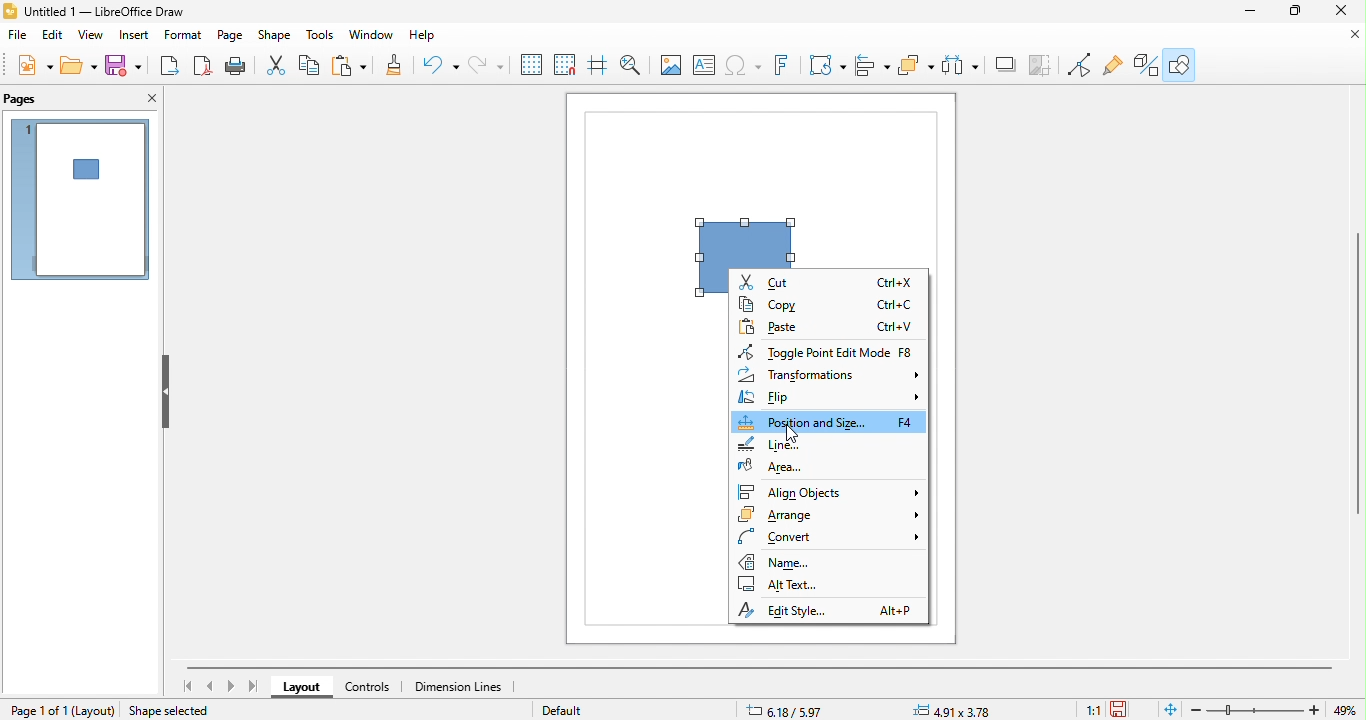  What do you see at coordinates (1167, 709) in the screenshot?
I see `fill page to current window` at bounding box center [1167, 709].